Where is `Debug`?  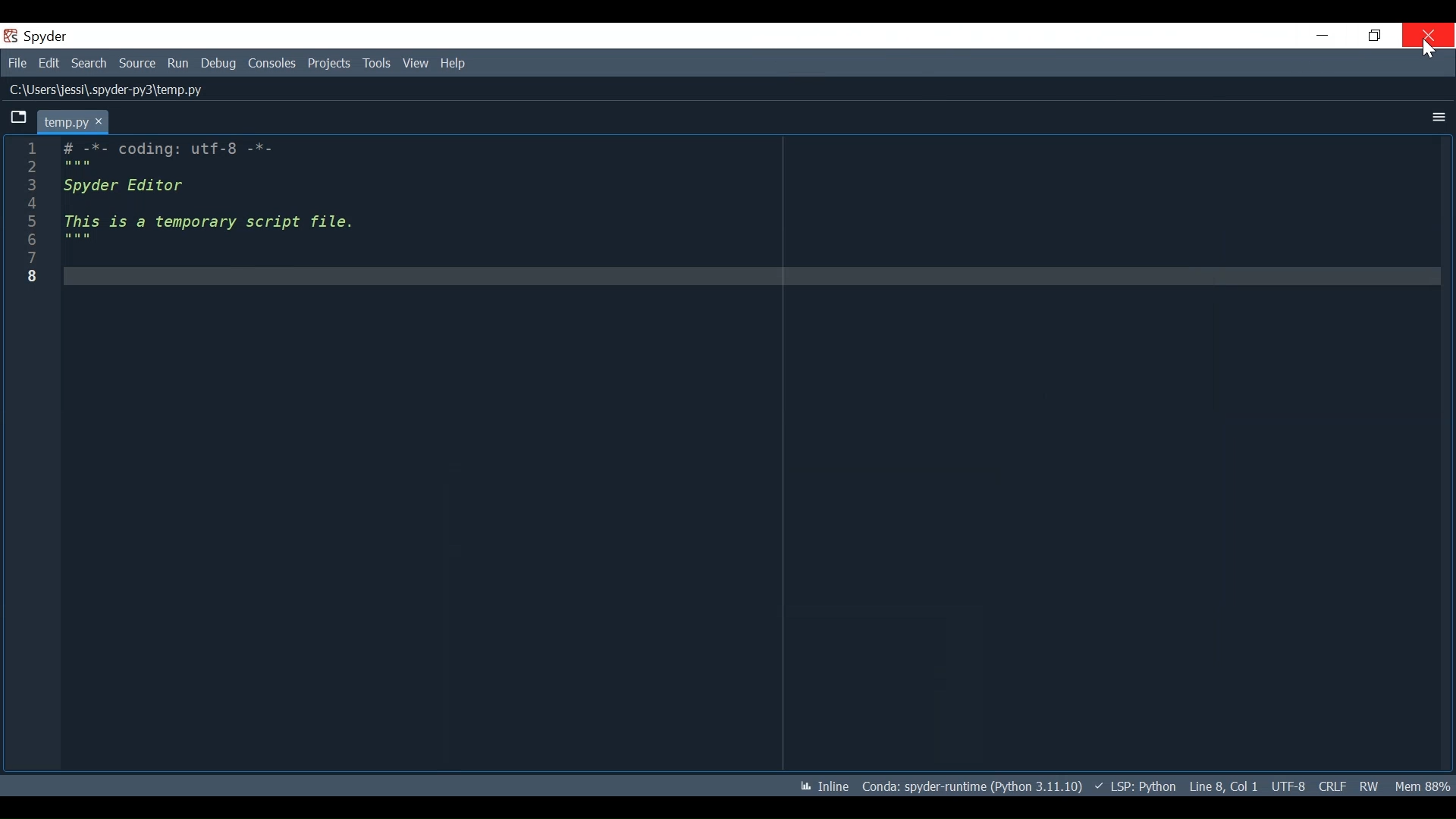
Debug is located at coordinates (220, 64).